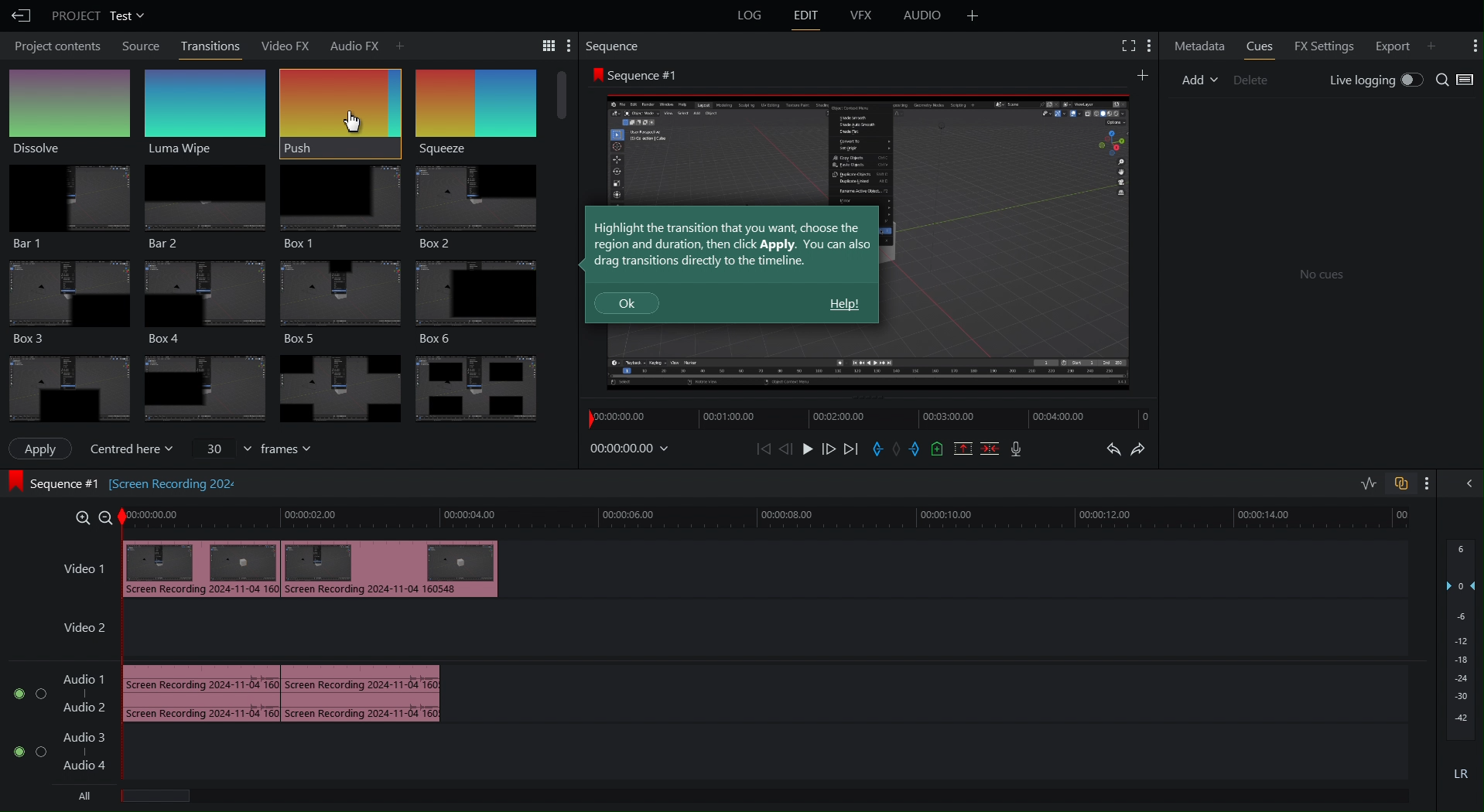 This screenshot has width=1484, height=812. What do you see at coordinates (92, 767) in the screenshot?
I see `audio track 4` at bounding box center [92, 767].